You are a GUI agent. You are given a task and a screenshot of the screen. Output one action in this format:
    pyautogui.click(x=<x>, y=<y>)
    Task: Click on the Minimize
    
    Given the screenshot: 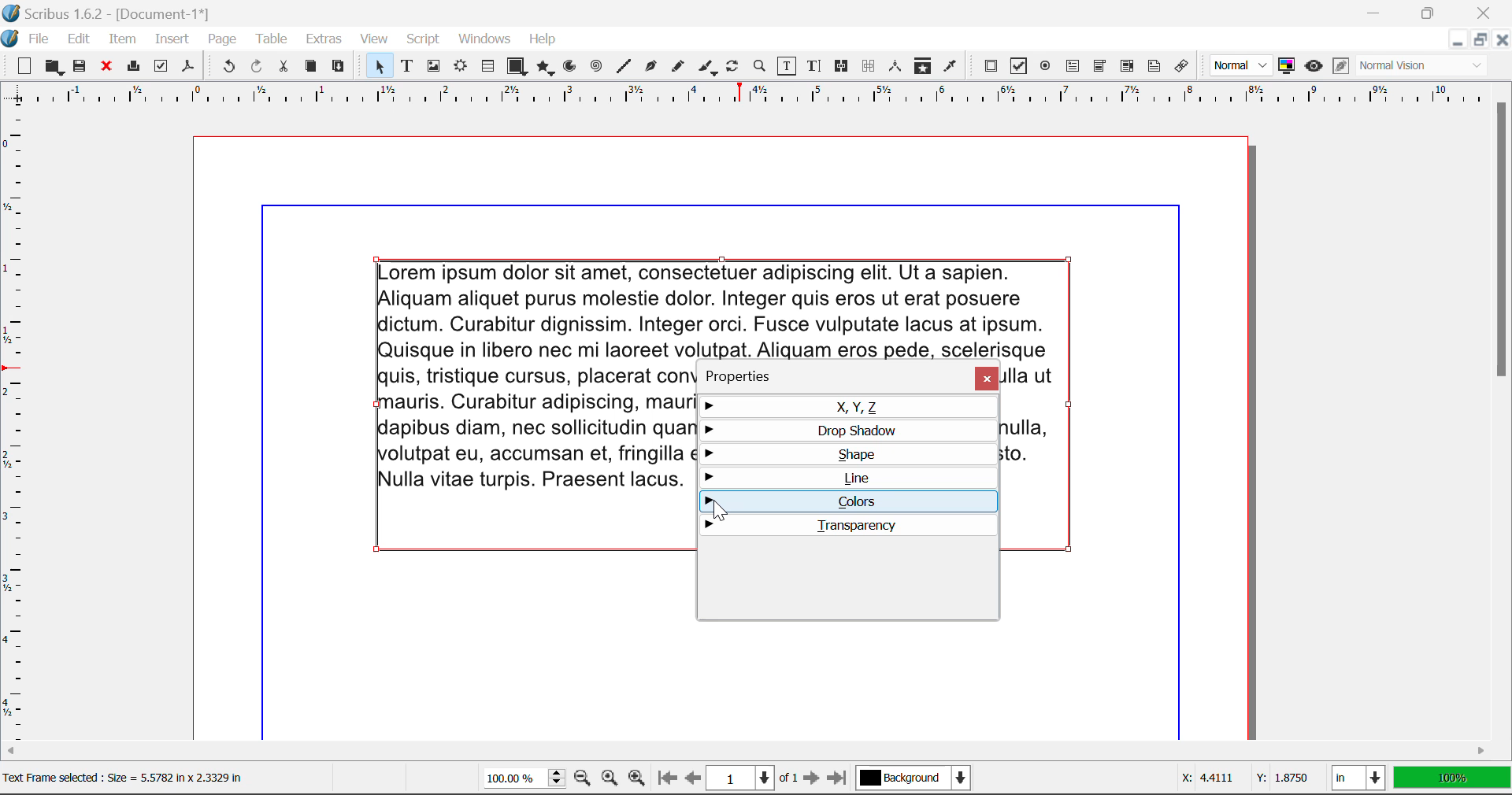 What is the action you would take?
    pyautogui.click(x=1478, y=39)
    